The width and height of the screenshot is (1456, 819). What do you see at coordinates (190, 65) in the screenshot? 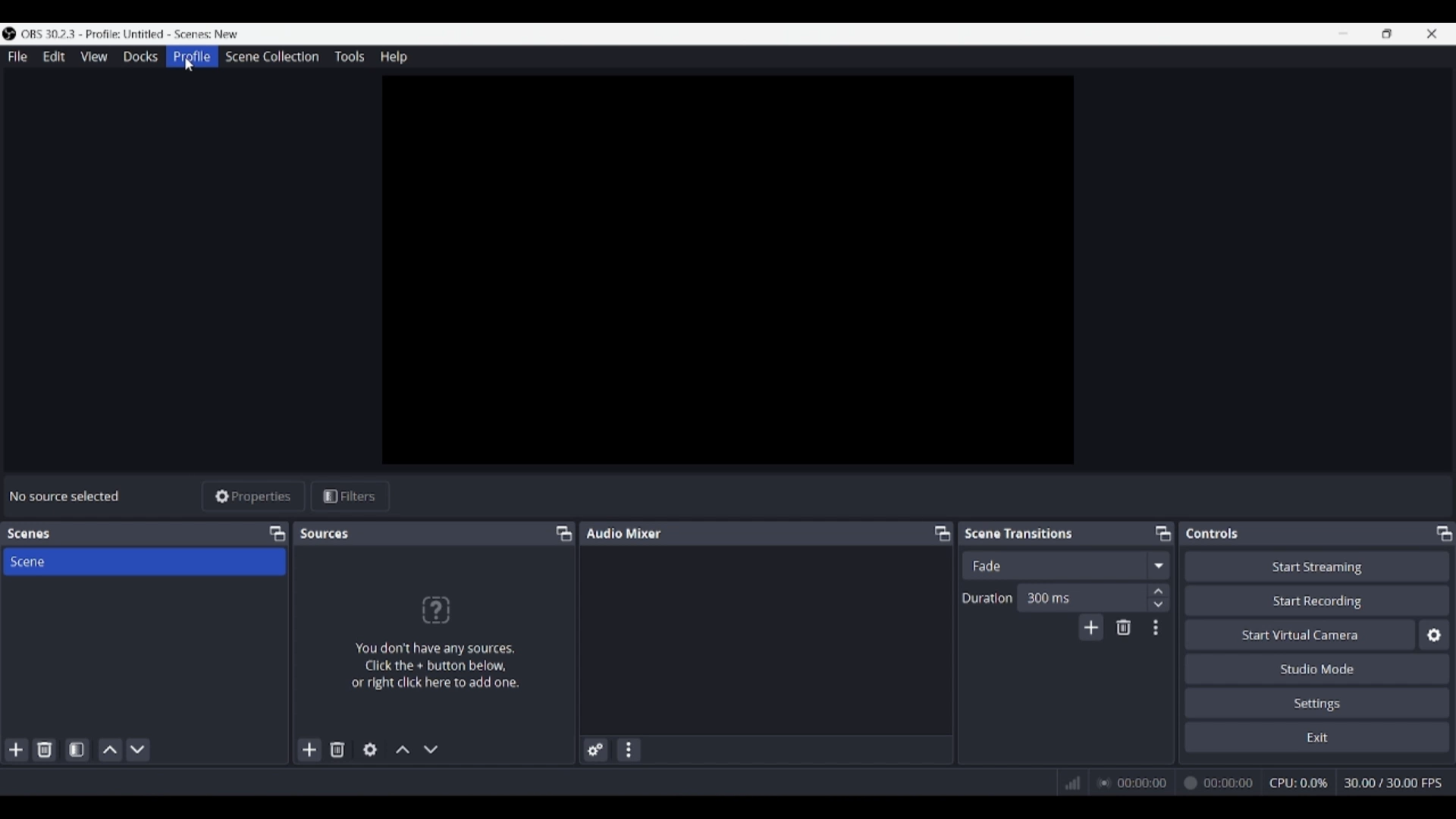
I see `Cursor` at bounding box center [190, 65].